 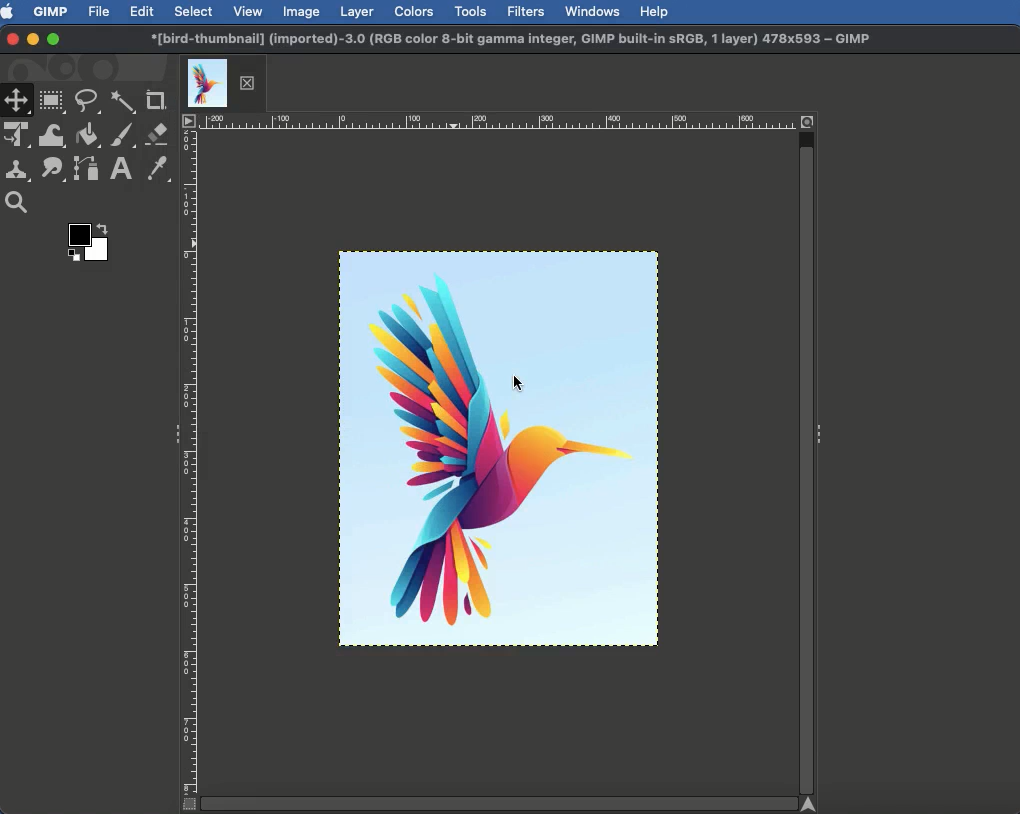 What do you see at coordinates (17, 101) in the screenshot?
I see `Move tool` at bounding box center [17, 101].